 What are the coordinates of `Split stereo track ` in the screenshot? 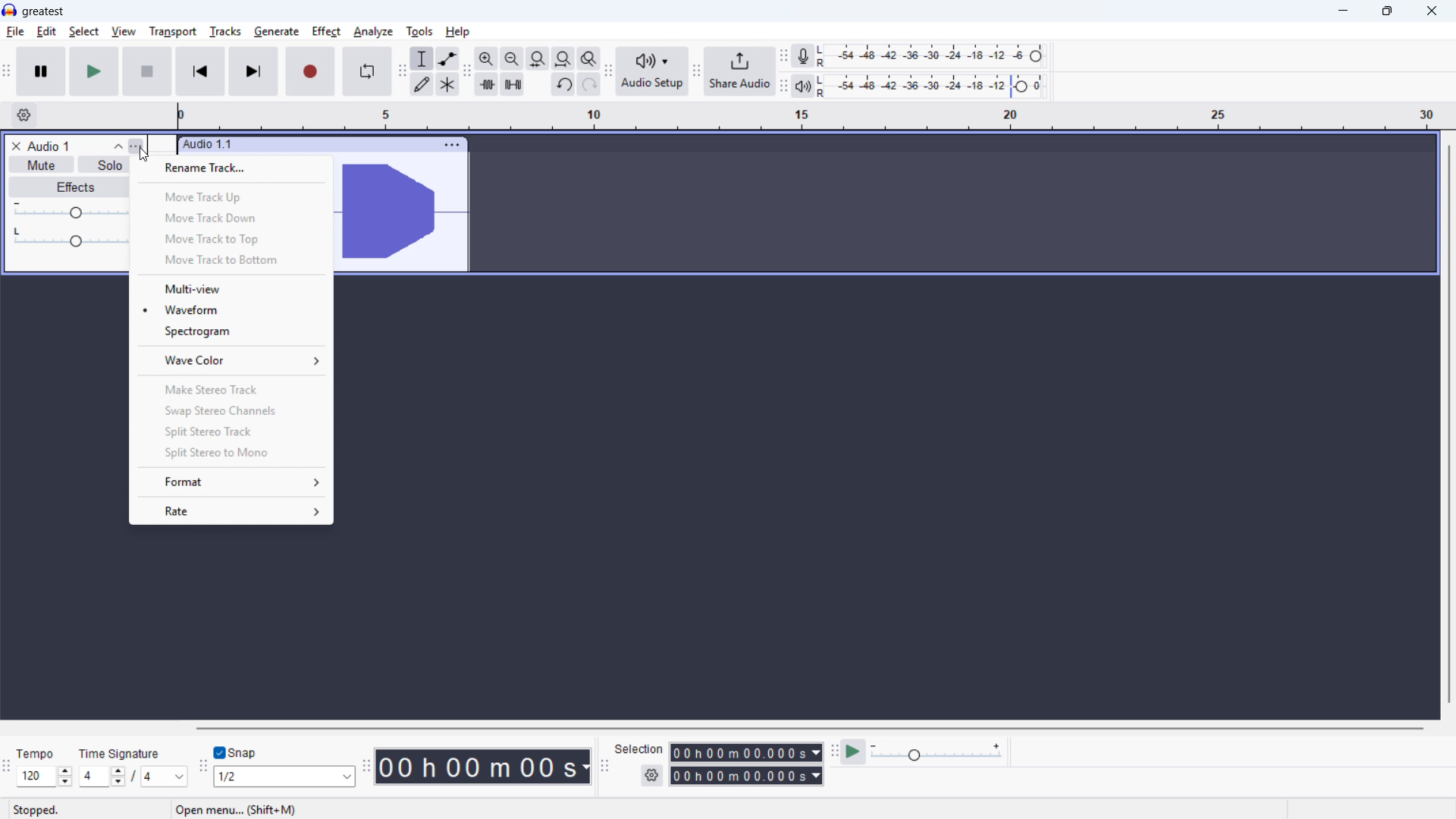 It's located at (231, 431).